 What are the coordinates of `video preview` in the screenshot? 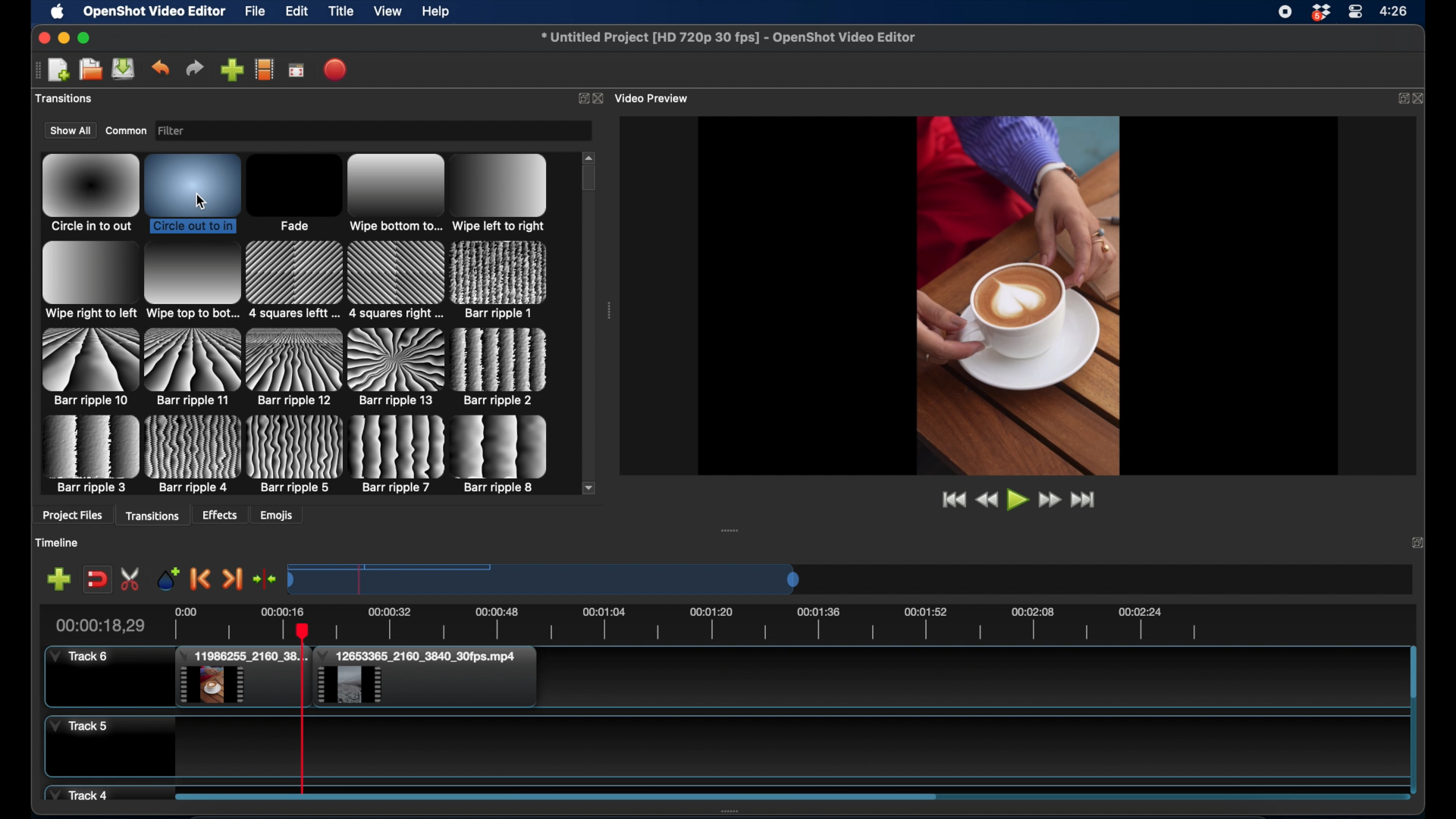 It's located at (654, 98).